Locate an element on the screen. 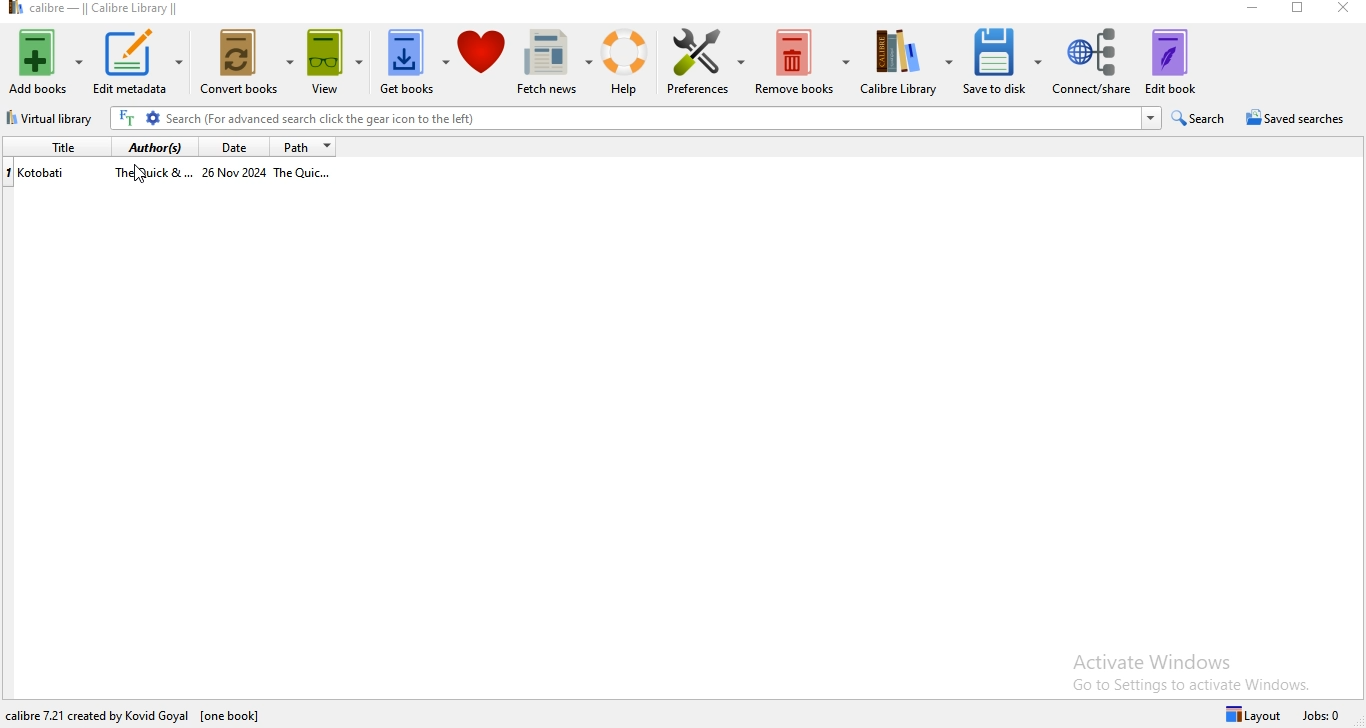 This screenshot has width=1366, height=728. saved searches is located at coordinates (1297, 118).